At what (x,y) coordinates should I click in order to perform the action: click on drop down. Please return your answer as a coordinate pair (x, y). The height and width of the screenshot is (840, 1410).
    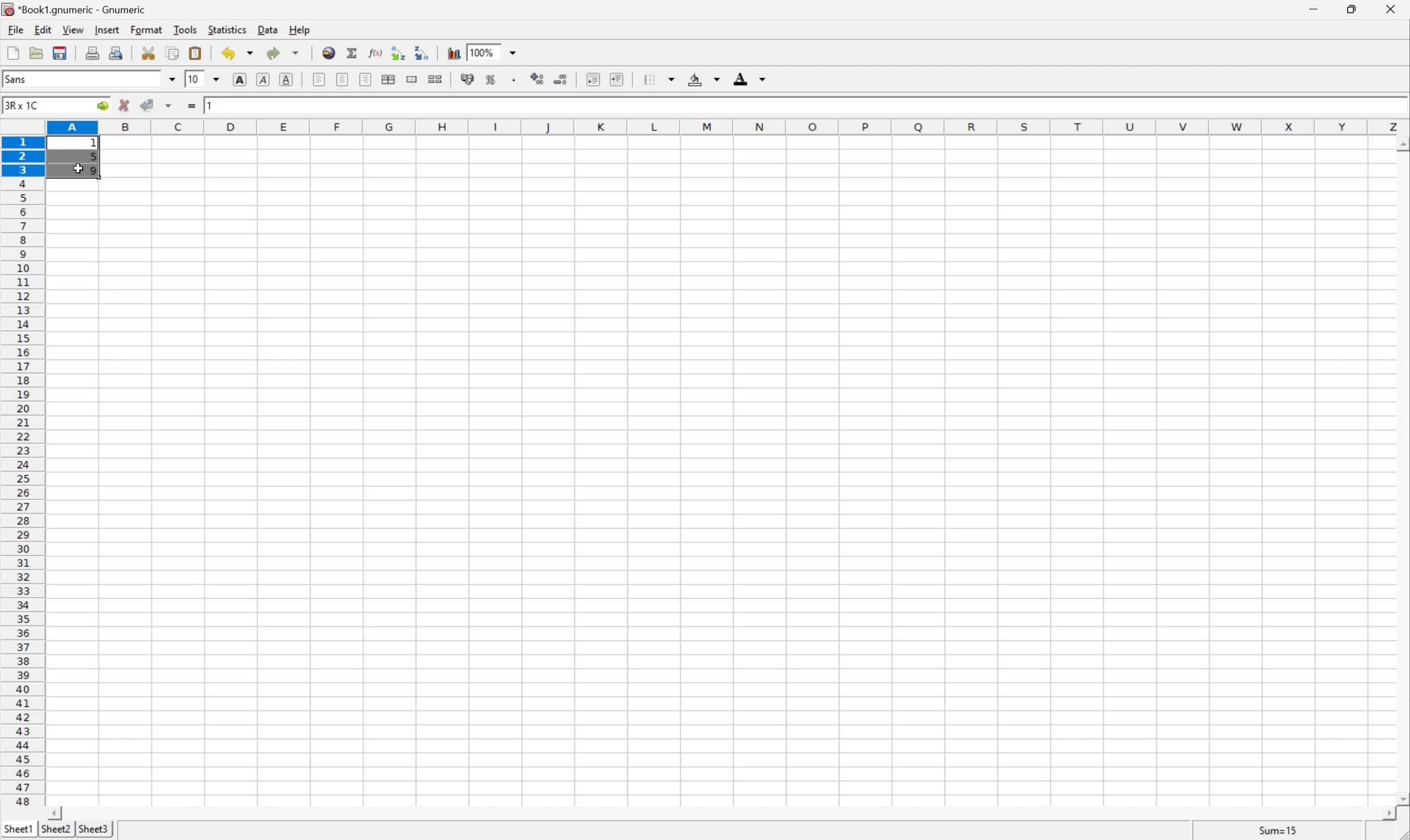
    Looking at the image, I should click on (220, 79).